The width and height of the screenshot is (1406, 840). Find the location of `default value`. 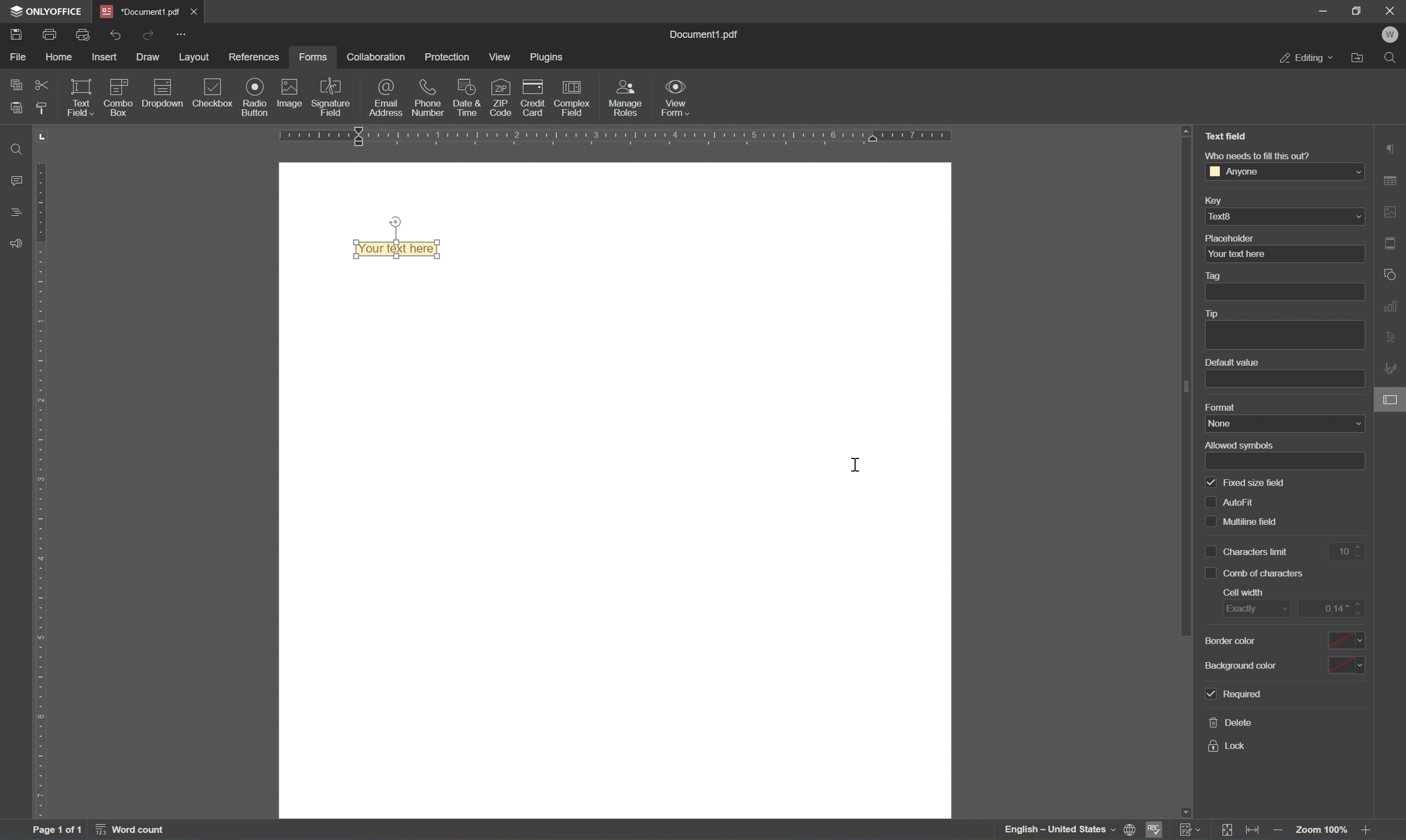

default value is located at coordinates (1233, 362).